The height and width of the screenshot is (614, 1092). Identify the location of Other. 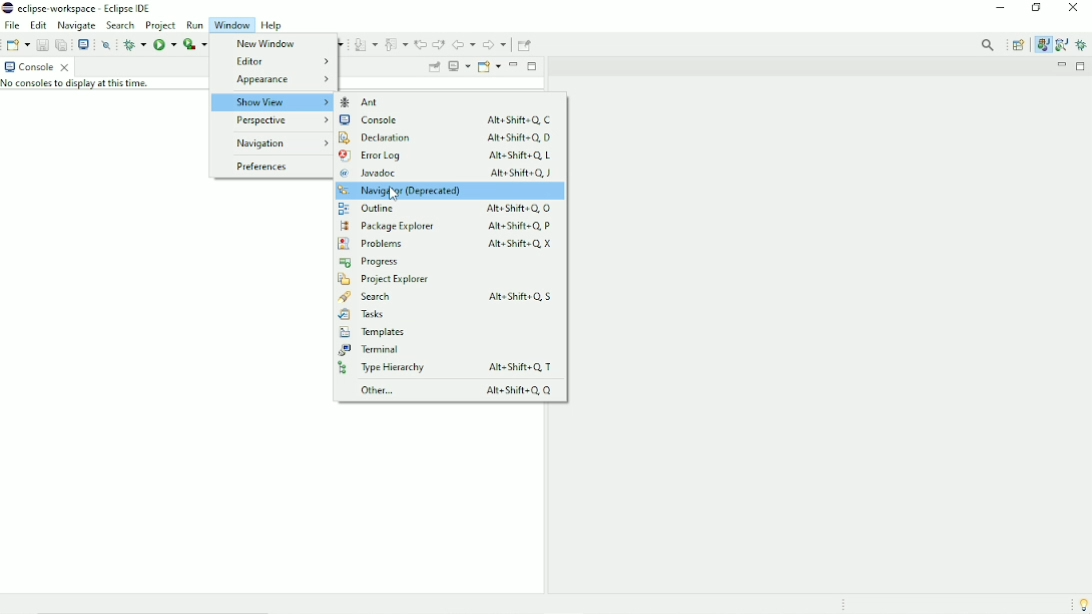
(452, 390).